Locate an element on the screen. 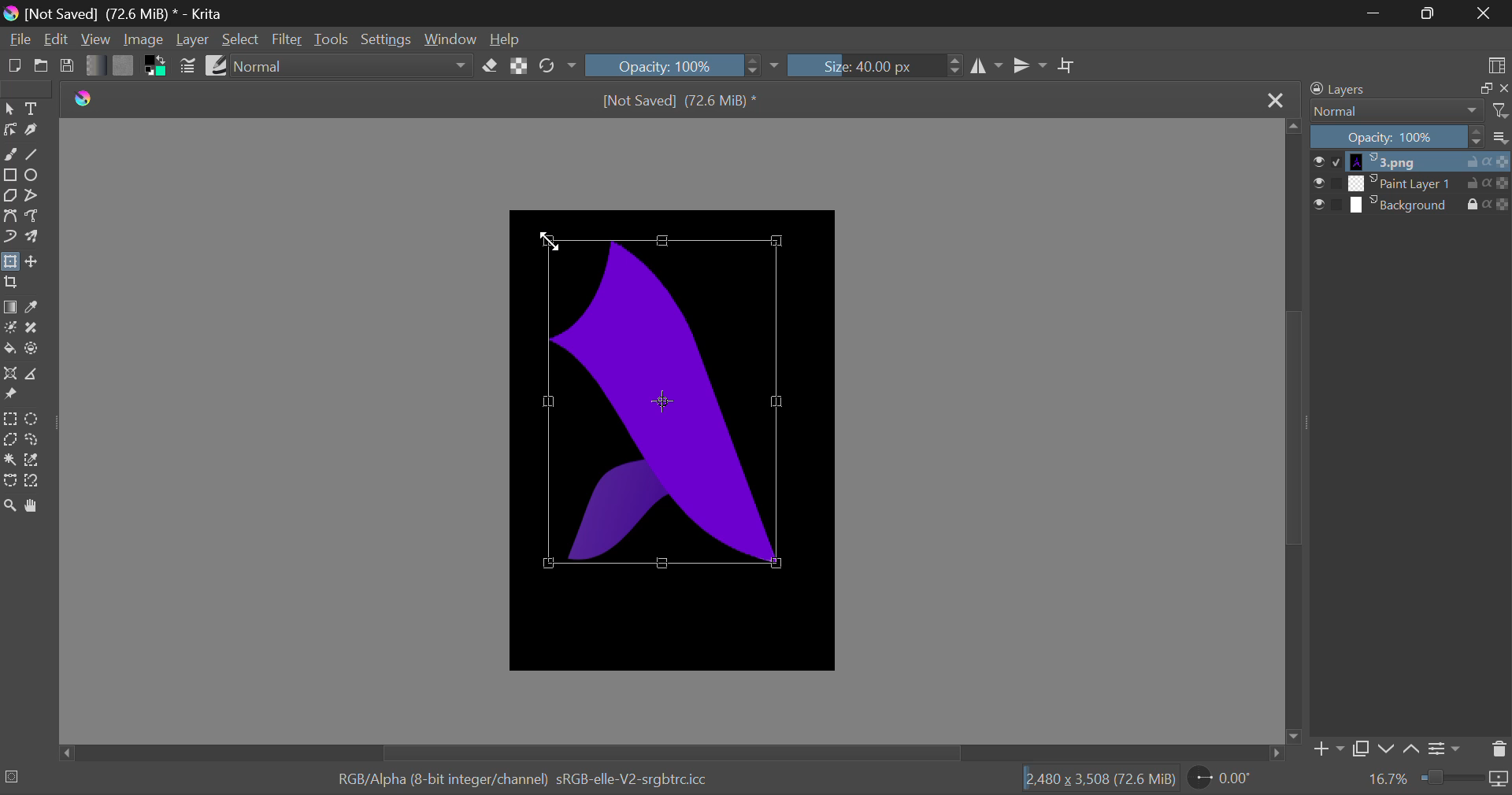 This screenshot has height=795, width=1512. close is located at coordinates (1503, 87).